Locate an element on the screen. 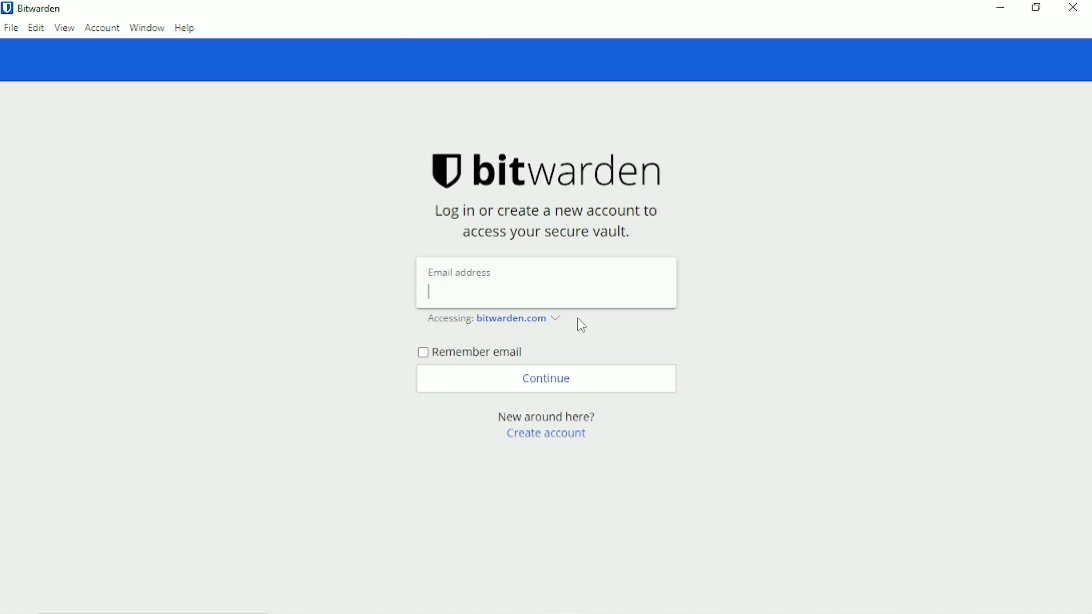  Continue is located at coordinates (552, 380).